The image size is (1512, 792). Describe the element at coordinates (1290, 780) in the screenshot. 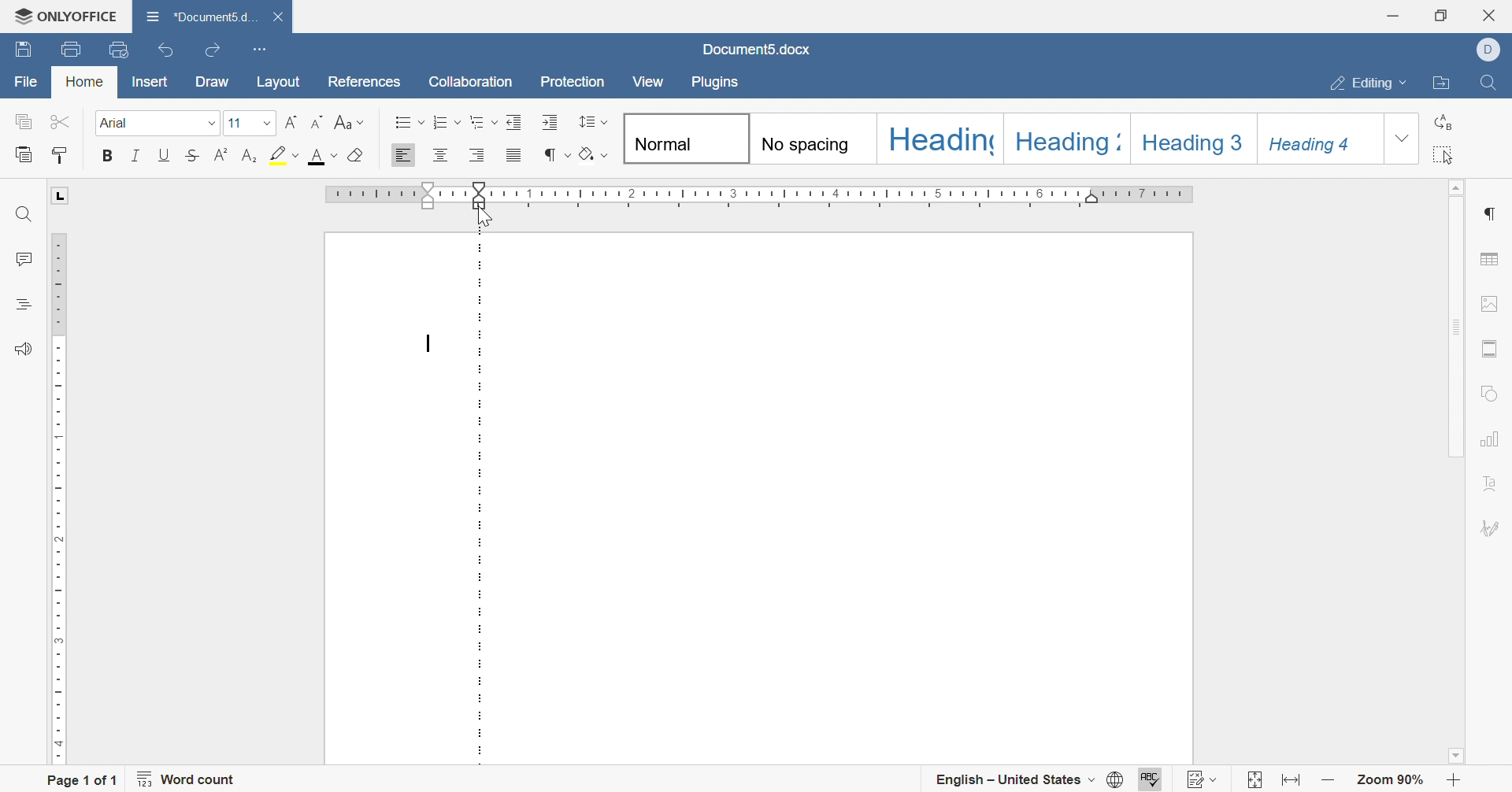

I see `fit to width` at that location.